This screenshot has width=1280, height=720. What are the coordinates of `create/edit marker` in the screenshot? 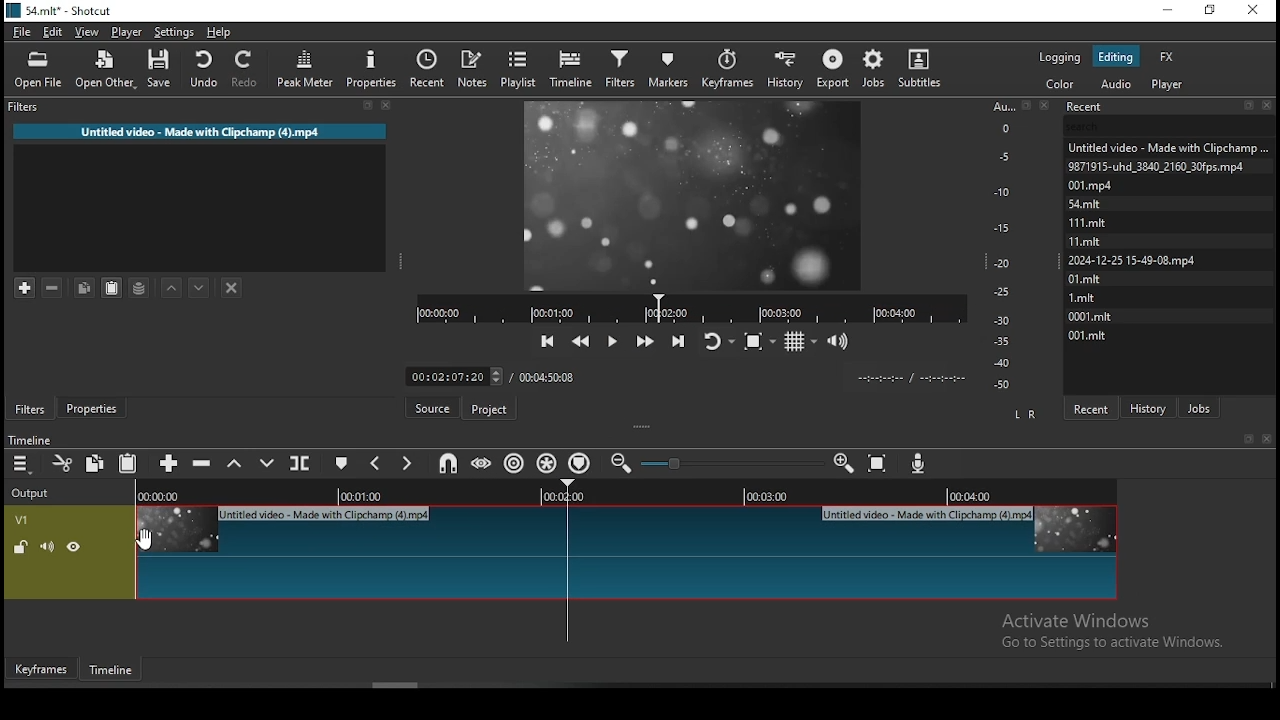 It's located at (345, 464).